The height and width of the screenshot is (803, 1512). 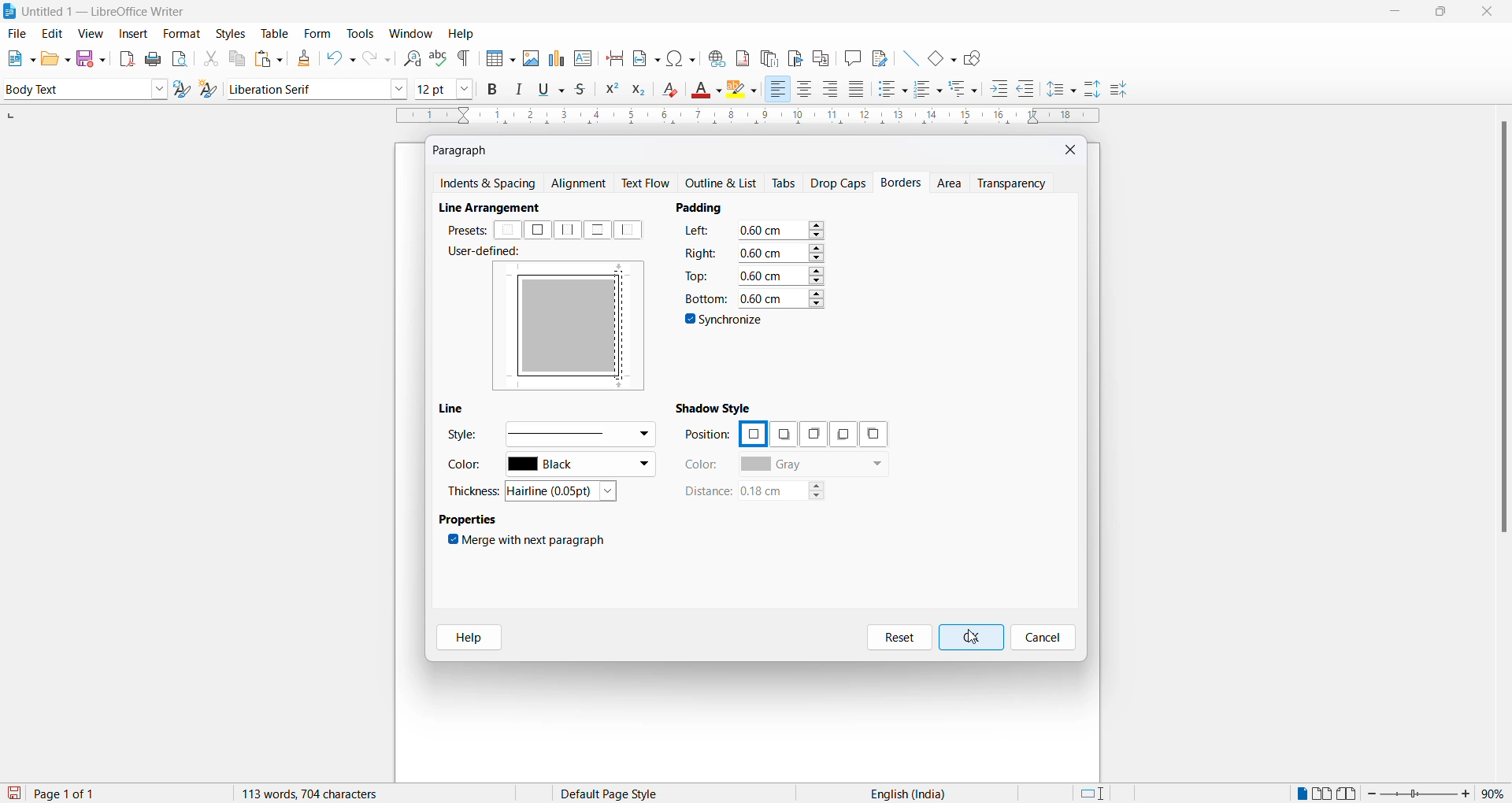 I want to click on copy, so click(x=235, y=58).